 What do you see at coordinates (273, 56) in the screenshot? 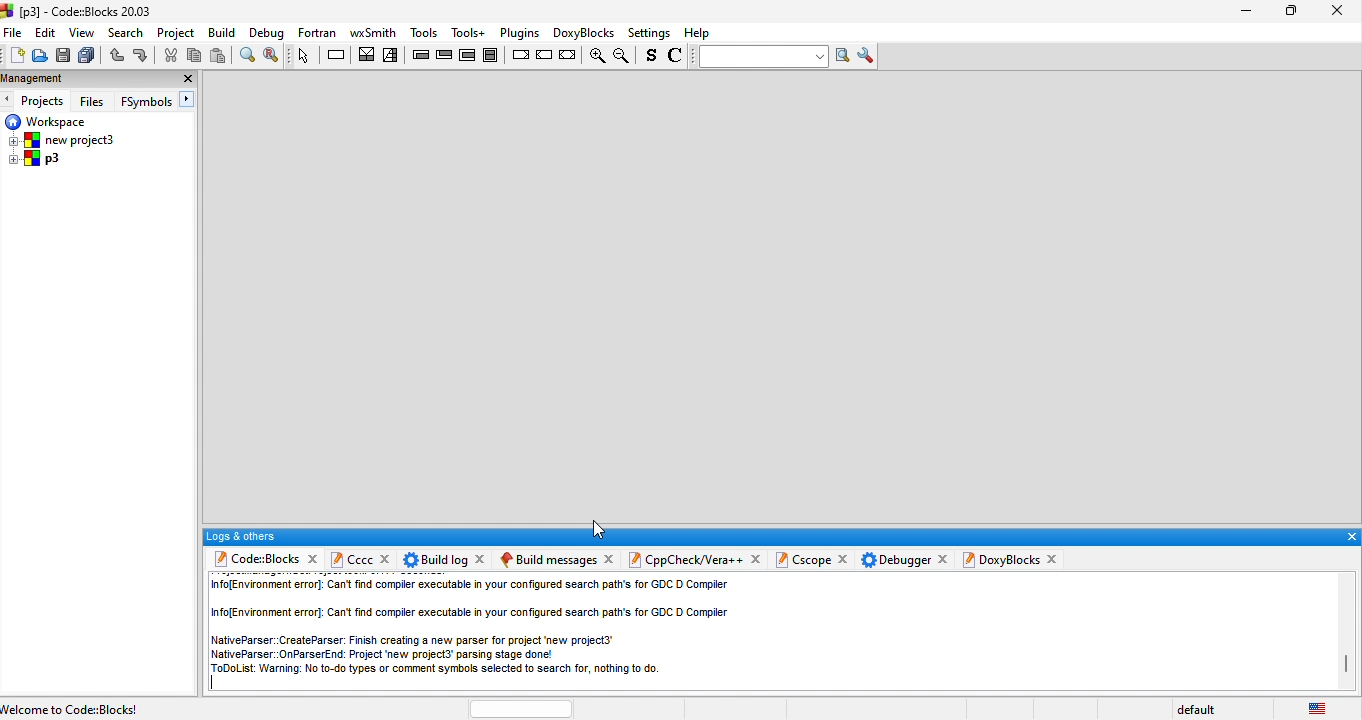
I see `replace` at bounding box center [273, 56].